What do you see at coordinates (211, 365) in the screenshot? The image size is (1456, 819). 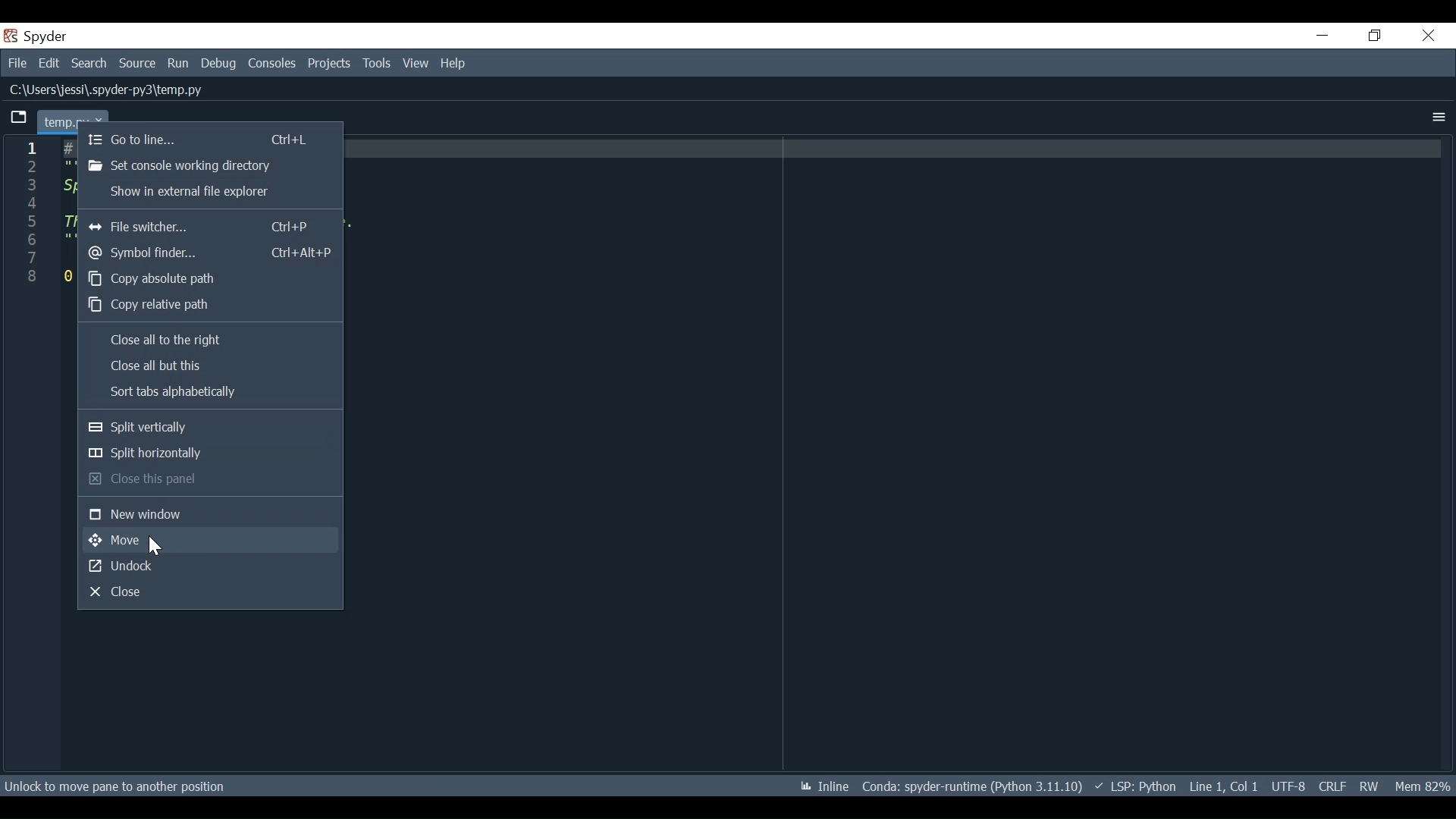 I see `Close all but this` at bounding box center [211, 365].